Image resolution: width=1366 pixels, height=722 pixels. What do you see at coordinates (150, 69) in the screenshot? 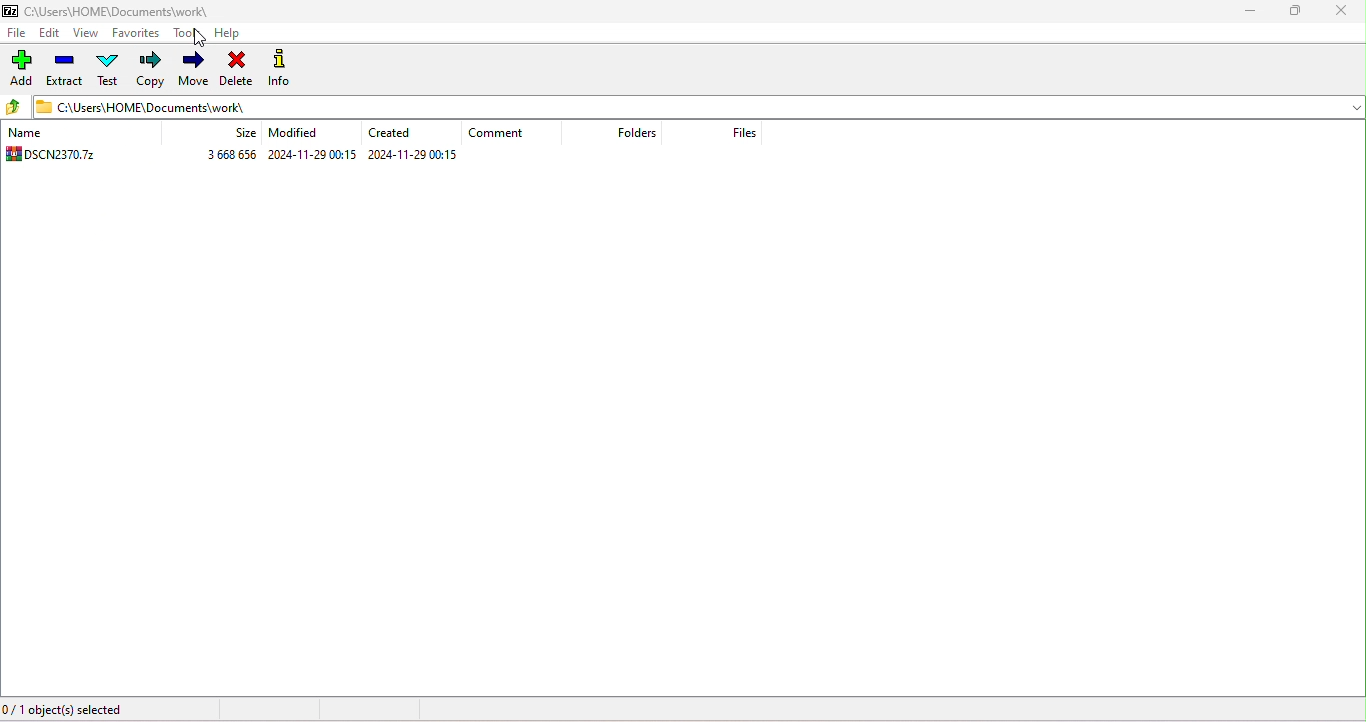
I see `copy` at bounding box center [150, 69].